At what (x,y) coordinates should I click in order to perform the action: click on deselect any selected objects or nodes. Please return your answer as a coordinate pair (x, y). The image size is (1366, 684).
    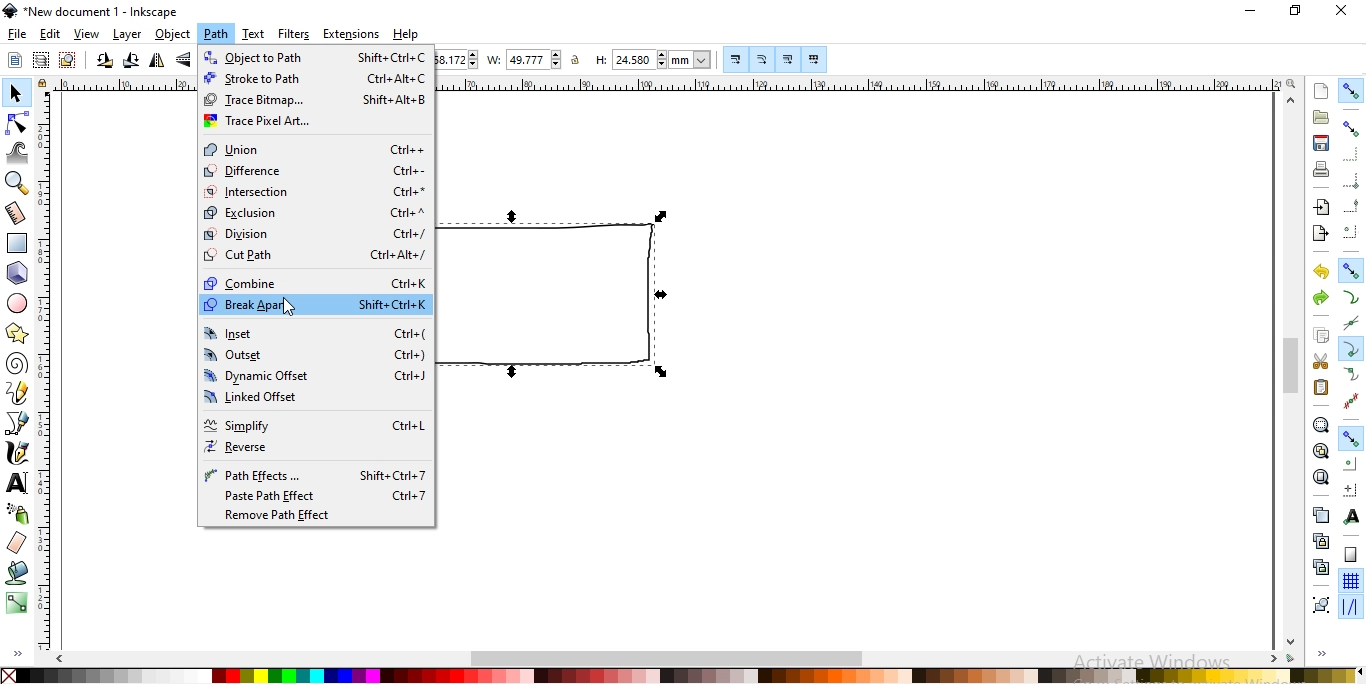
    Looking at the image, I should click on (68, 60).